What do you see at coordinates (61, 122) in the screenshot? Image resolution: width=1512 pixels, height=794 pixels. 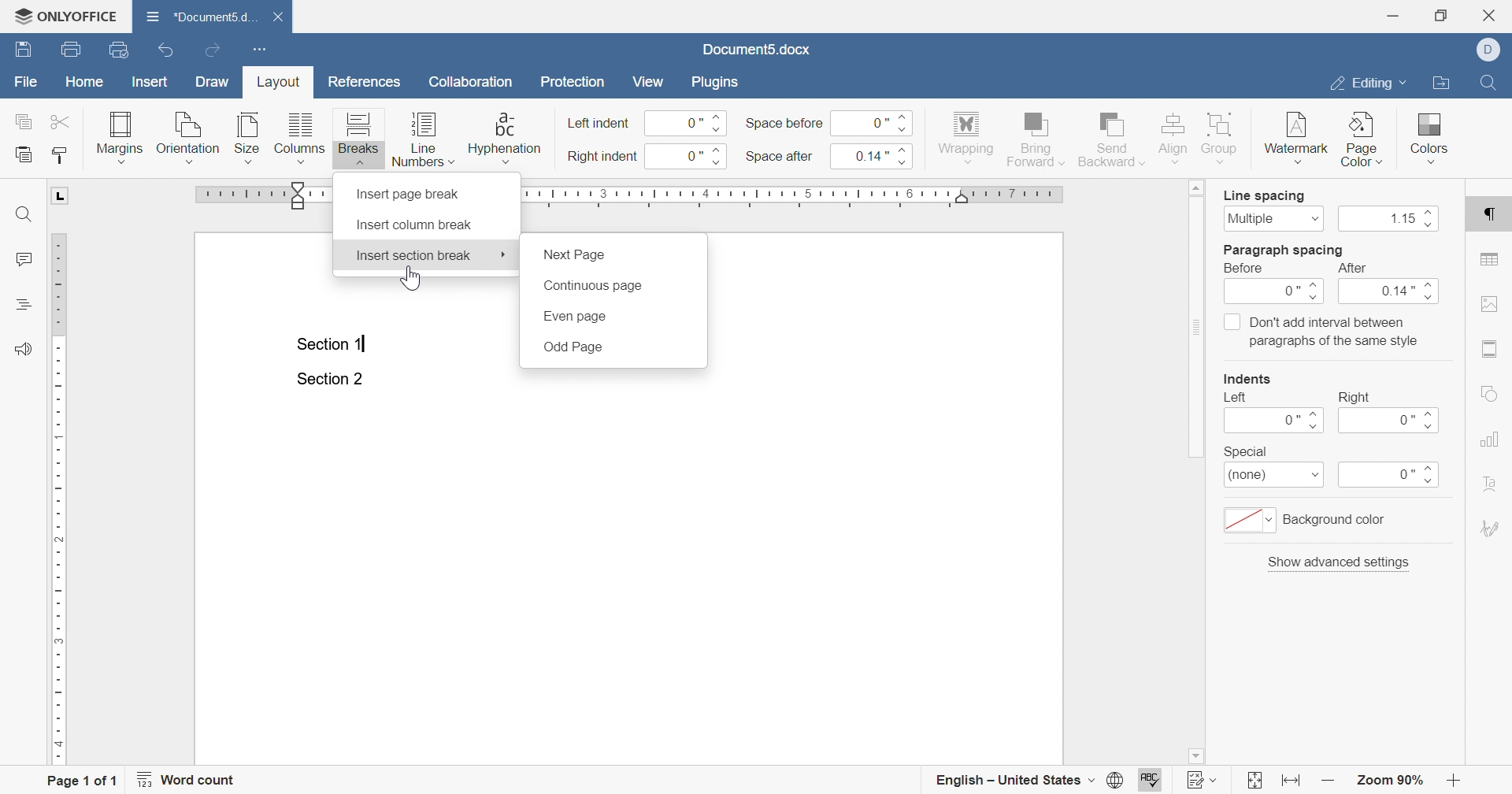 I see `cut` at bounding box center [61, 122].